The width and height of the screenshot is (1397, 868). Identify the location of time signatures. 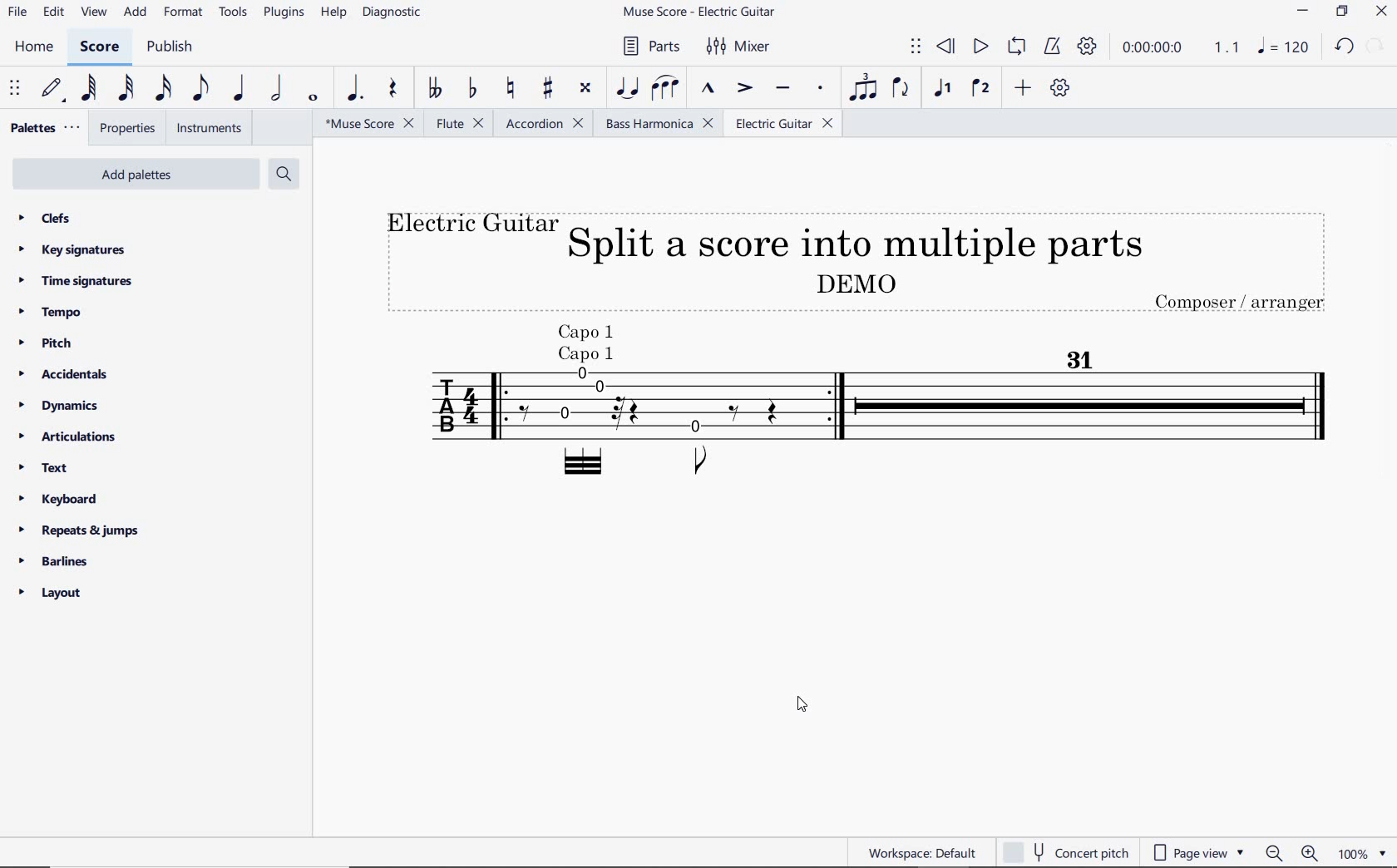
(74, 283).